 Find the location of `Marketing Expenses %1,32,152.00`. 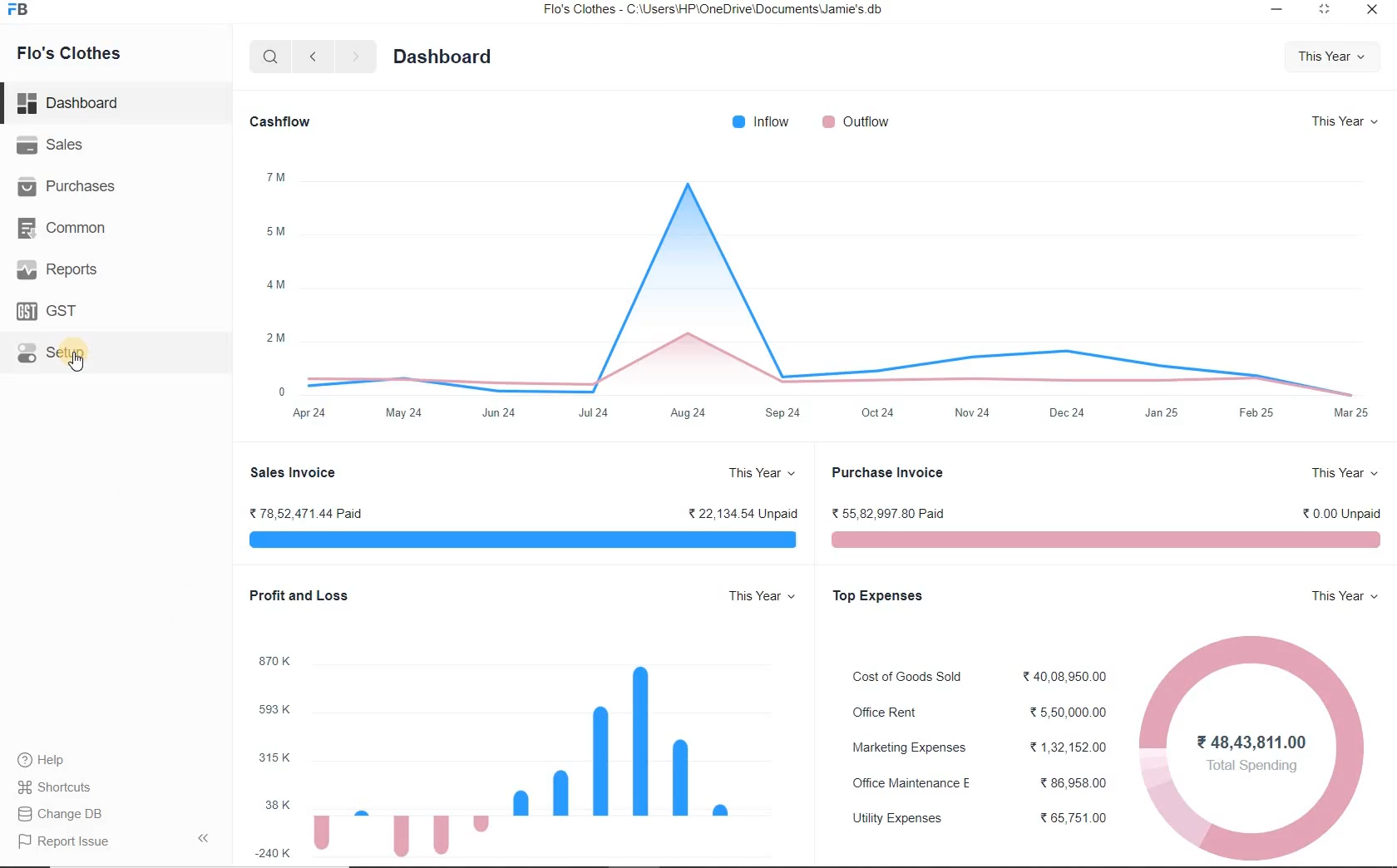

Marketing Expenses %1,32,152.00 is located at coordinates (980, 747).